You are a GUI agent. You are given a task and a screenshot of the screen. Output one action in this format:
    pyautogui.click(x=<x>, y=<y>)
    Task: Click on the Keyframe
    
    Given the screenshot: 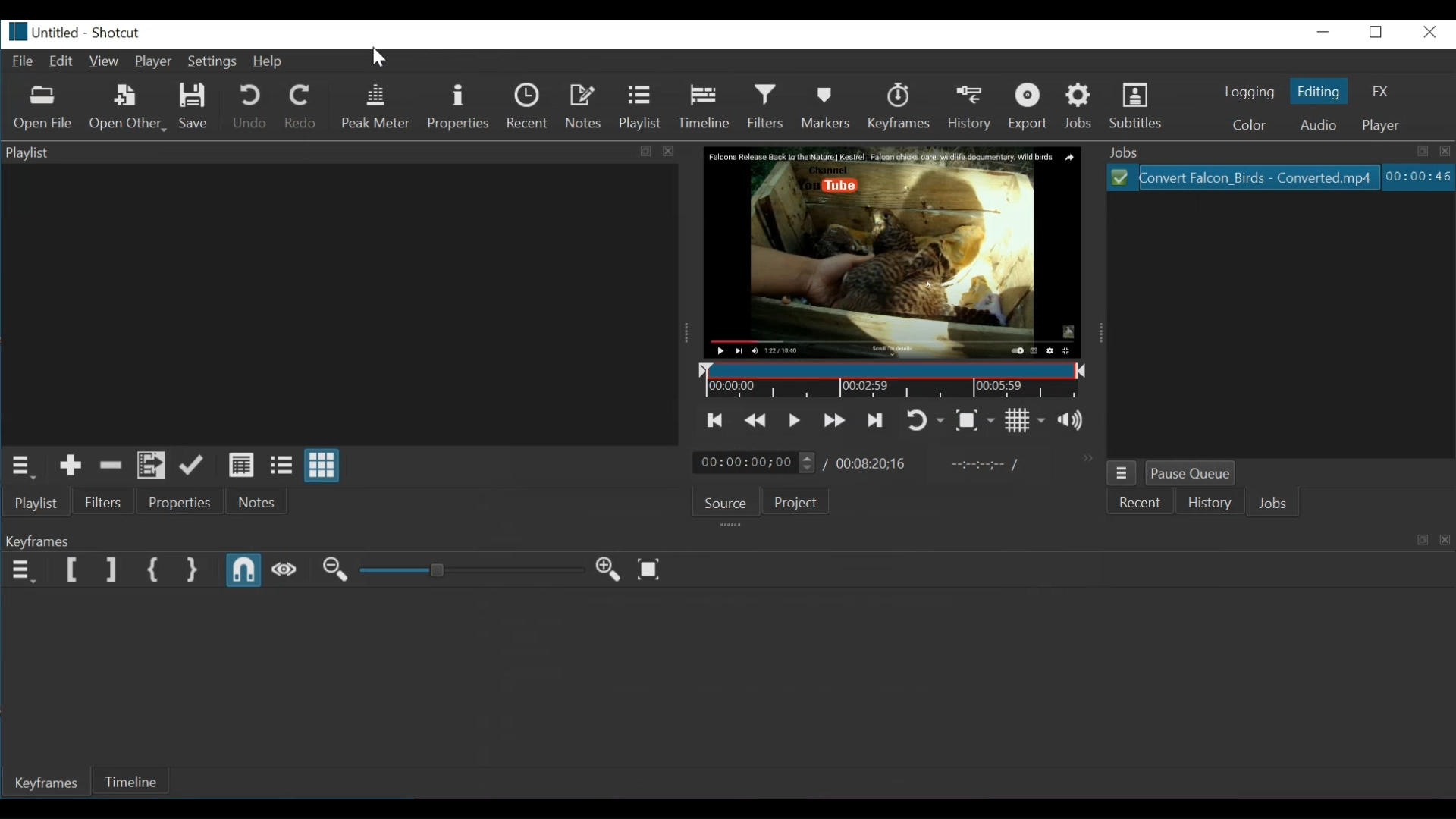 What is the action you would take?
    pyautogui.click(x=725, y=541)
    